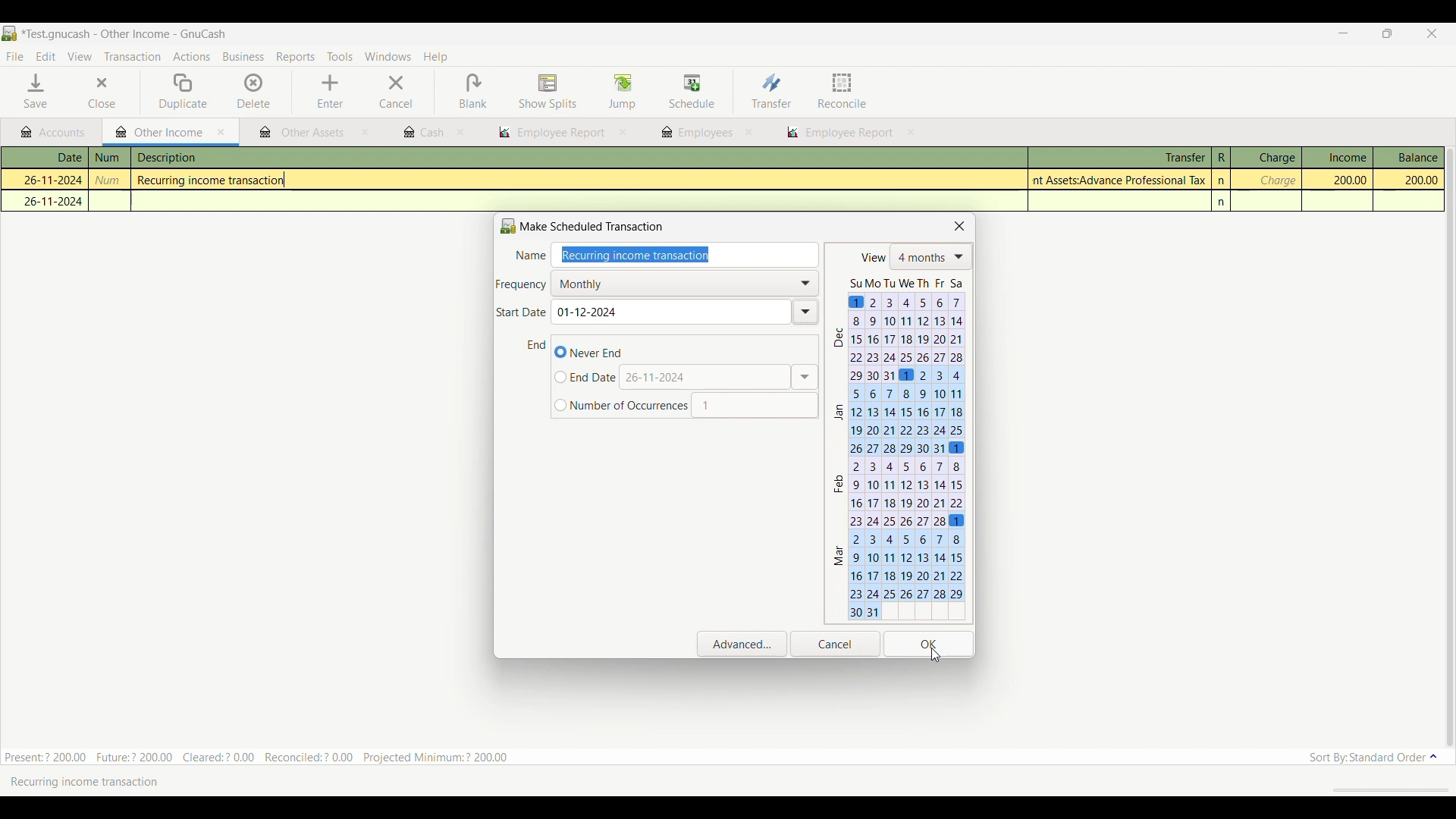 The height and width of the screenshot is (819, 1456). What do you see at coordinates (1119, 155) in the screenshot?
I see `Transfer column` at bounding box center [1119, 155].